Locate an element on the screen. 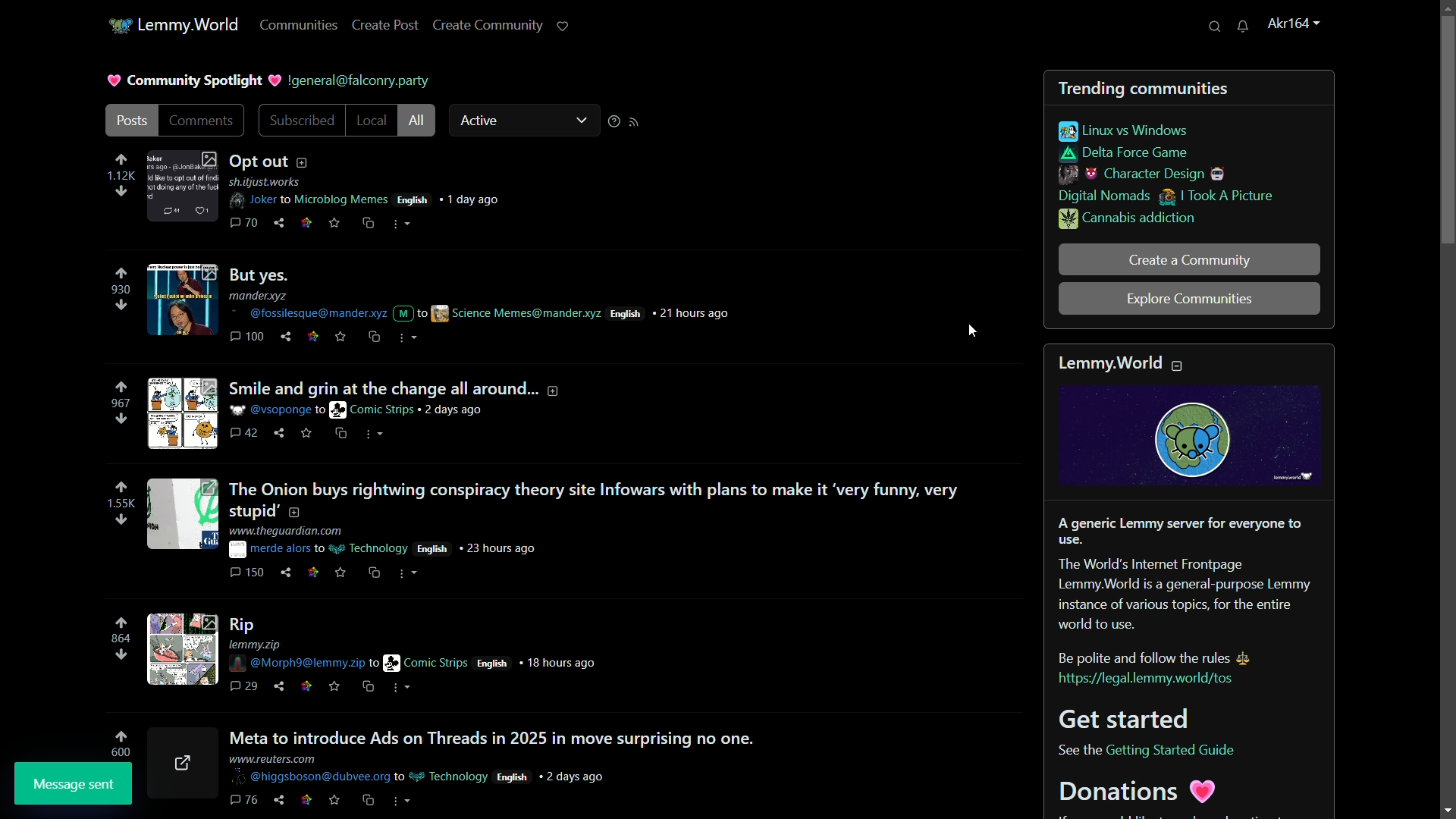 This screenshot has height=819, width=1456. post details is located at coordinates (494, 411).